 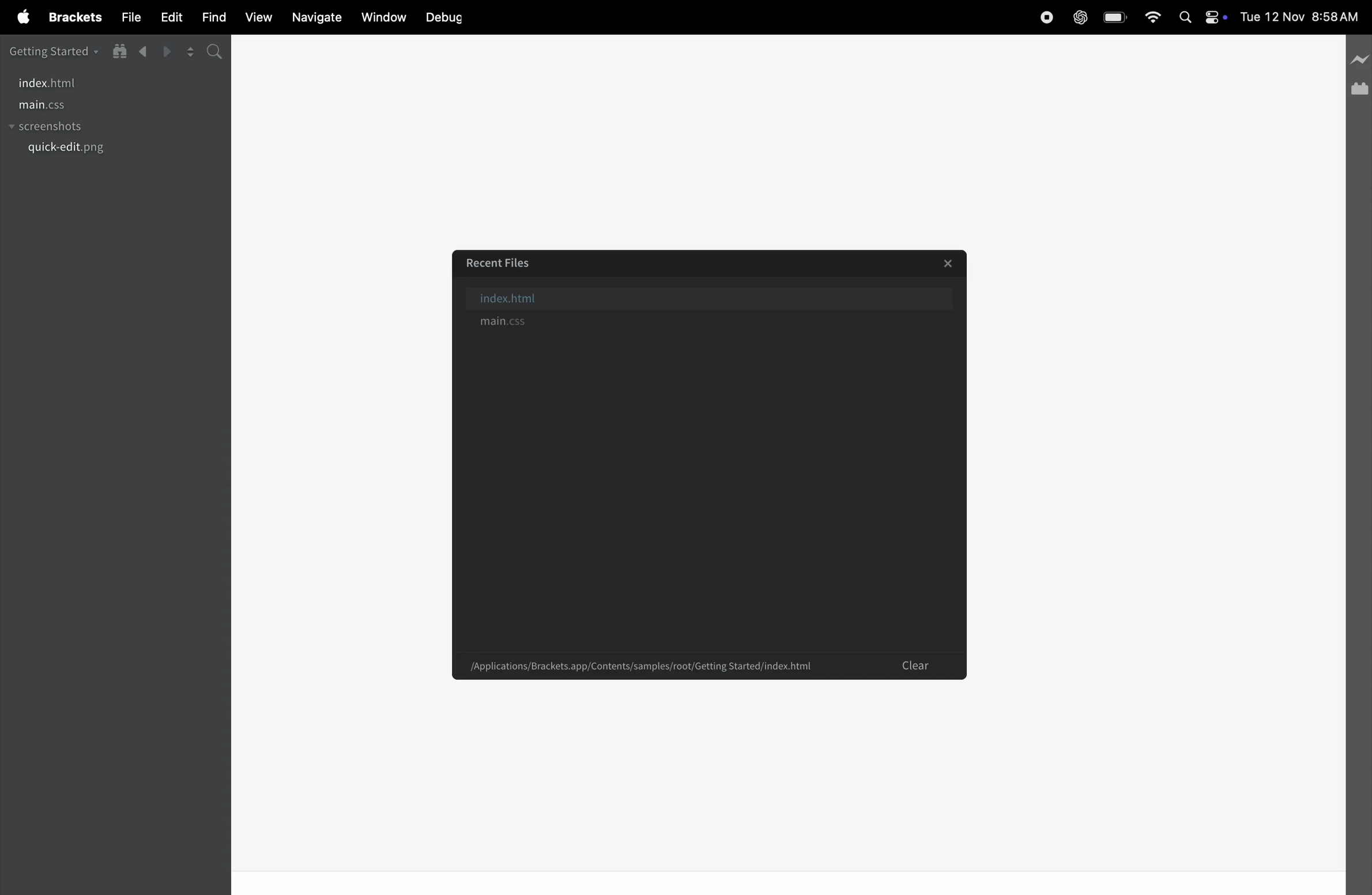 What do you see at coordinates (1079, 17) in the screenshot?
I see `chatgpt` at bounding box center [1079, 17].